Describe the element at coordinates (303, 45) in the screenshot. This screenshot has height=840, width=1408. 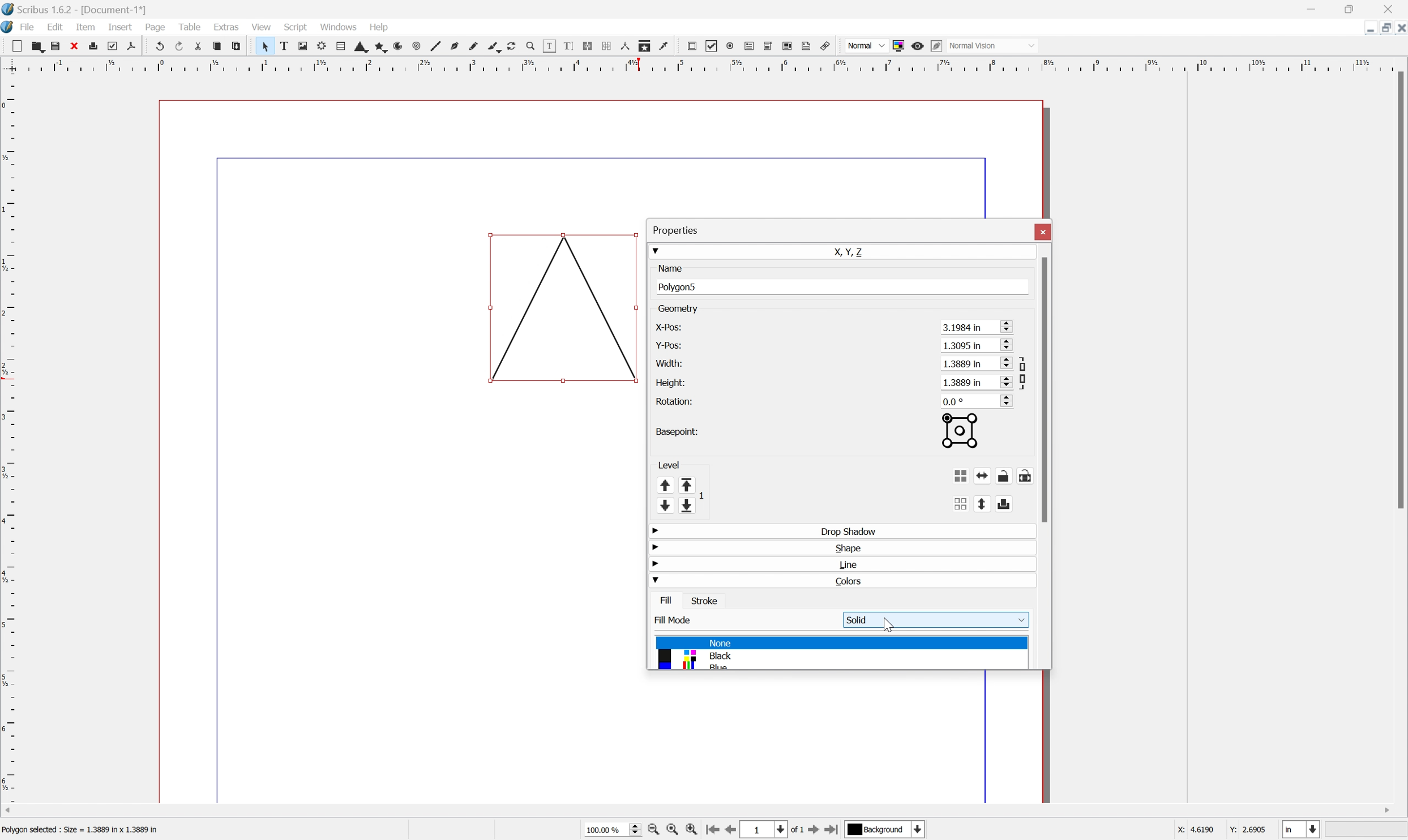
I see `Image frame` at that location.